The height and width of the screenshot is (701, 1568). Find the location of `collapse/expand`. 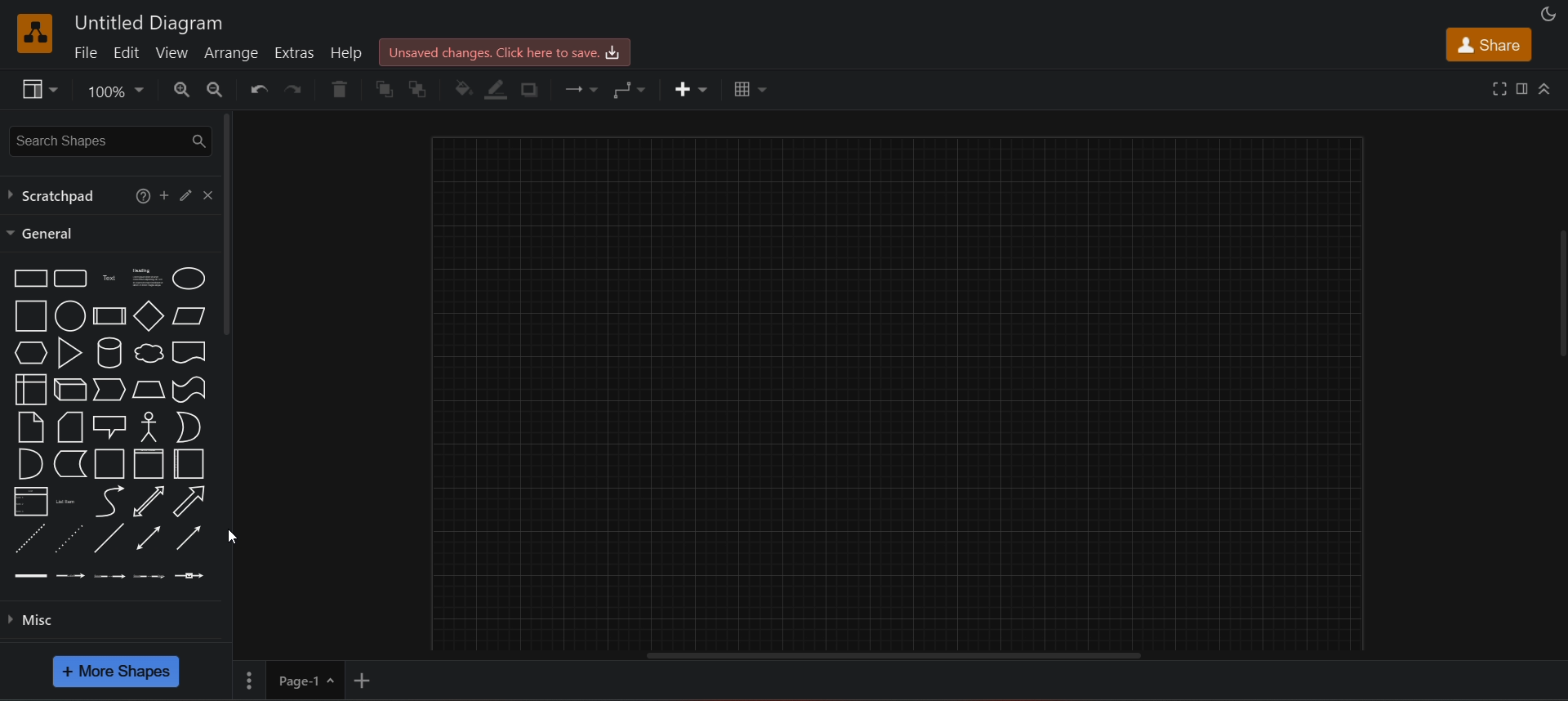

collapse/expand is located at coordinates (1544, 89).